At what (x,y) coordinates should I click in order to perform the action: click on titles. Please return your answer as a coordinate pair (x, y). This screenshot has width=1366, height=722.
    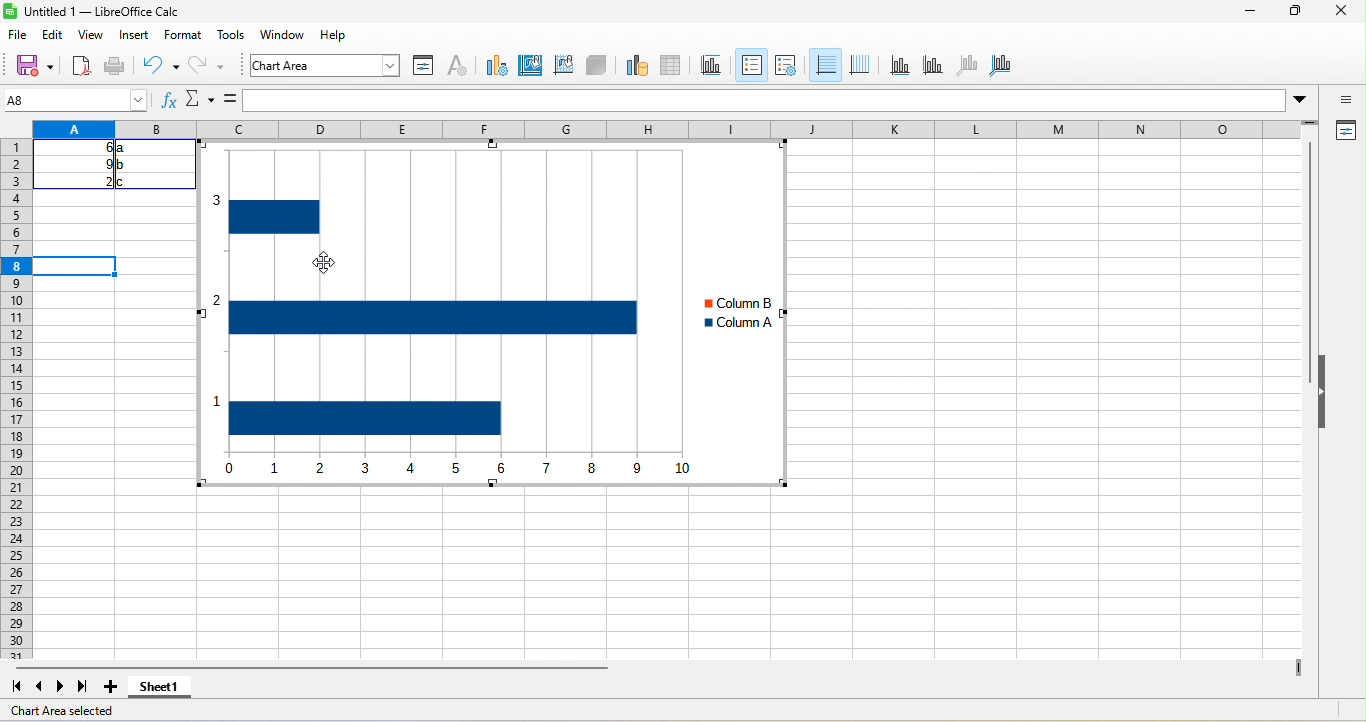
    Looking at the image, I should click on (750, 64).